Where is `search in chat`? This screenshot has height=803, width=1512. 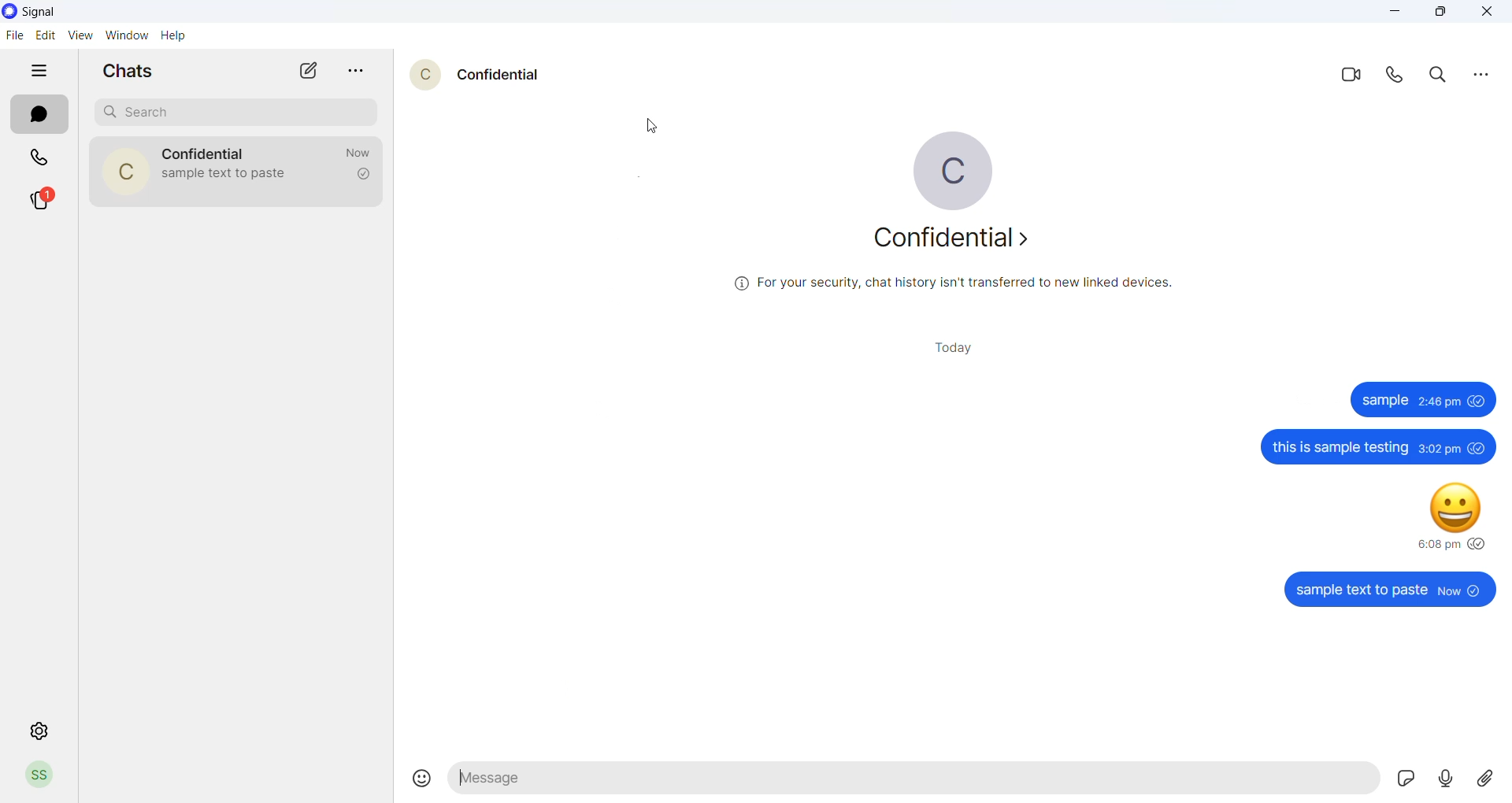
search in chat is located at coordinates (1442, 77).